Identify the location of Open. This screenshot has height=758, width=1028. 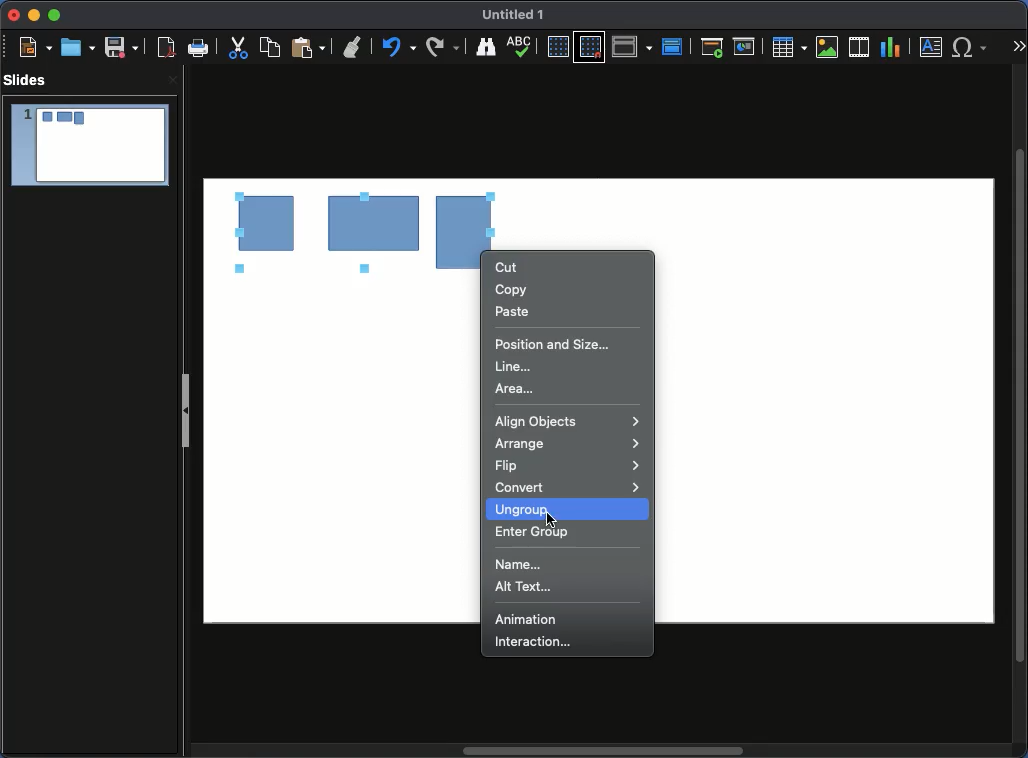
(78, 46).